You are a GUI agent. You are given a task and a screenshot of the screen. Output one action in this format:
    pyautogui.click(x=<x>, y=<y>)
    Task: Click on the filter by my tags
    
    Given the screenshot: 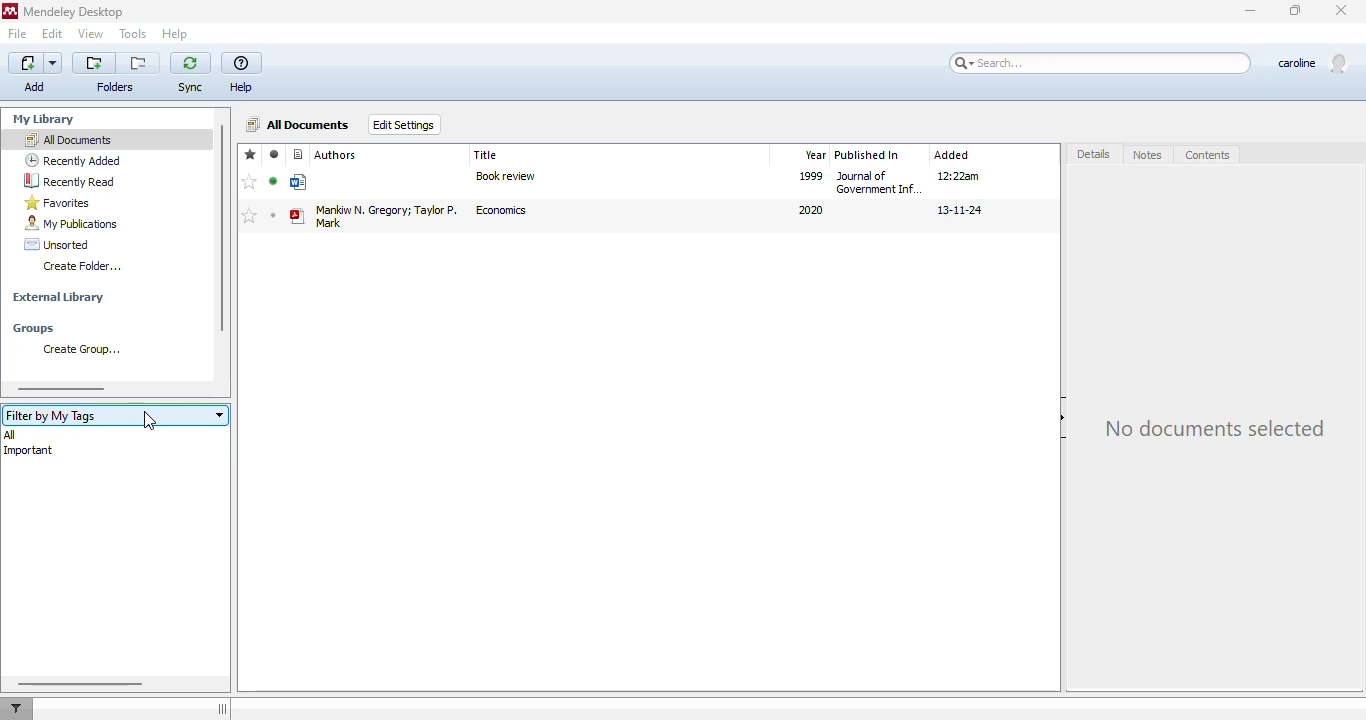 What is the action you would take?
    pyautogui.click(x=114, y=415)
    